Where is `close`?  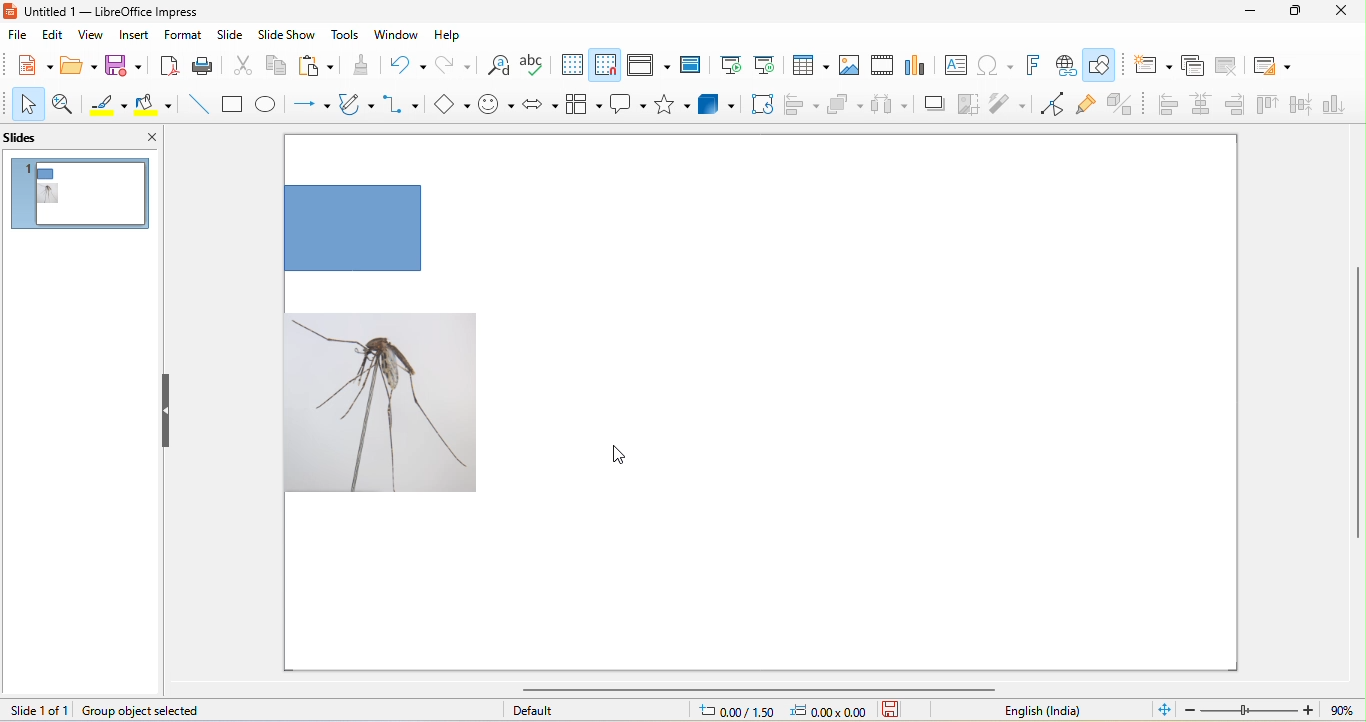
close is located at coordinates (139, 137).